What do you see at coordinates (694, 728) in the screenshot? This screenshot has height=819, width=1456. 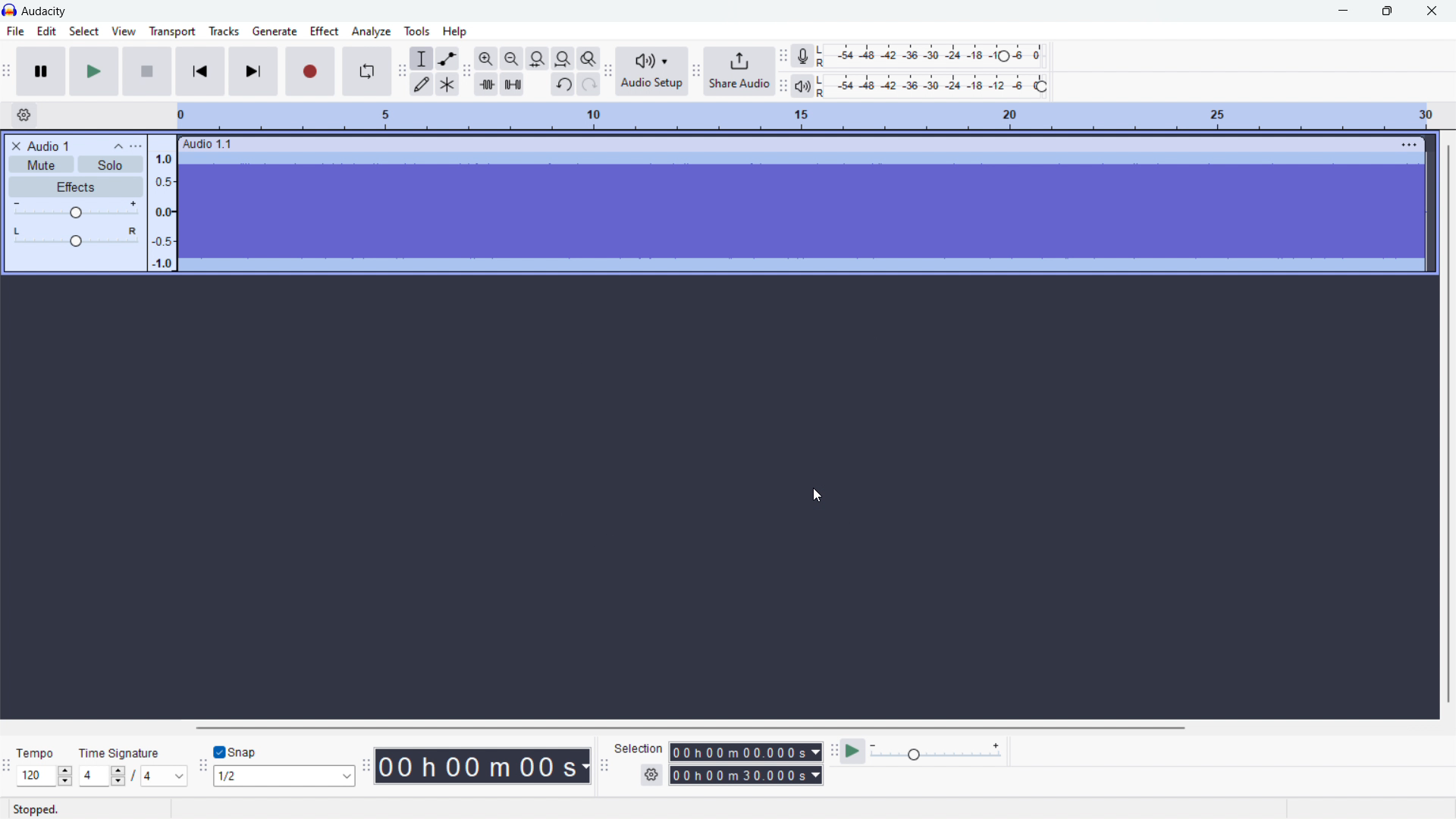 I see `horizontal scrollbar` at bounding box center [694, 728].